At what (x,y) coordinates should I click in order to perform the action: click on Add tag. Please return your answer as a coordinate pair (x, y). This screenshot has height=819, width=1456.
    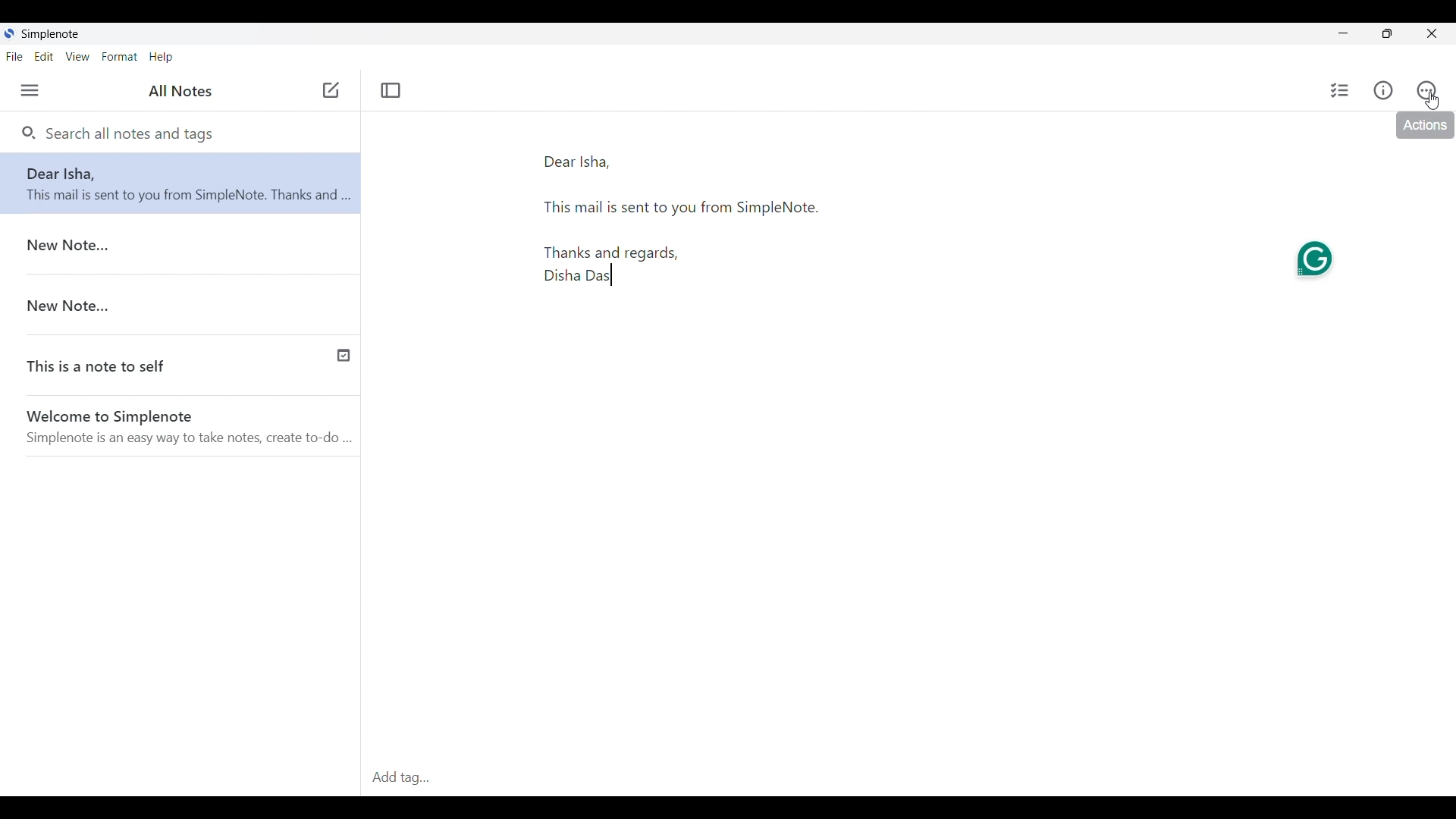
    Looking at the image, I should click on (905, 778).